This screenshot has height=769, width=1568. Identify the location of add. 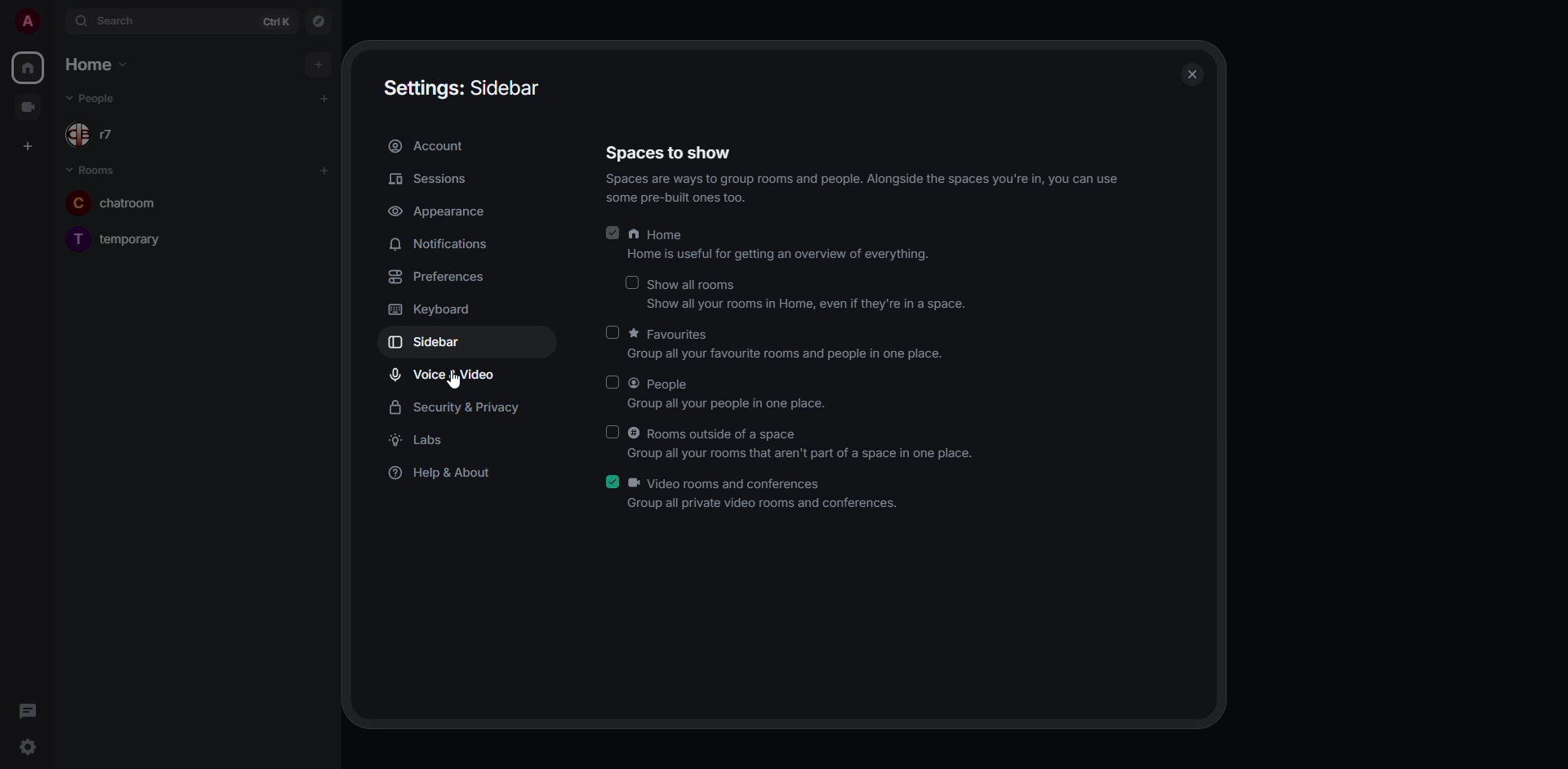
(322, 100).